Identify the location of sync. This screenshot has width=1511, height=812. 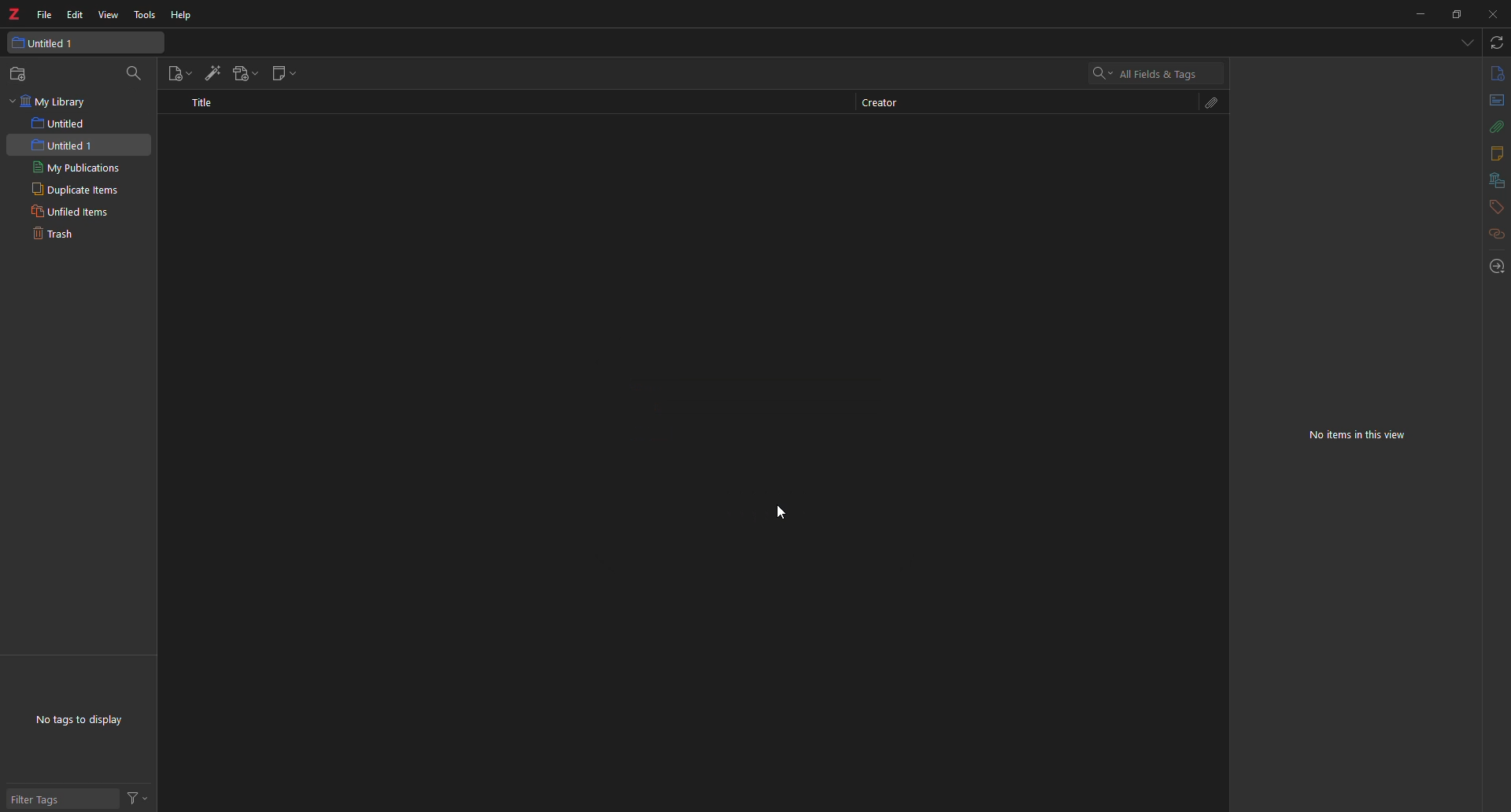
(1495, 43).